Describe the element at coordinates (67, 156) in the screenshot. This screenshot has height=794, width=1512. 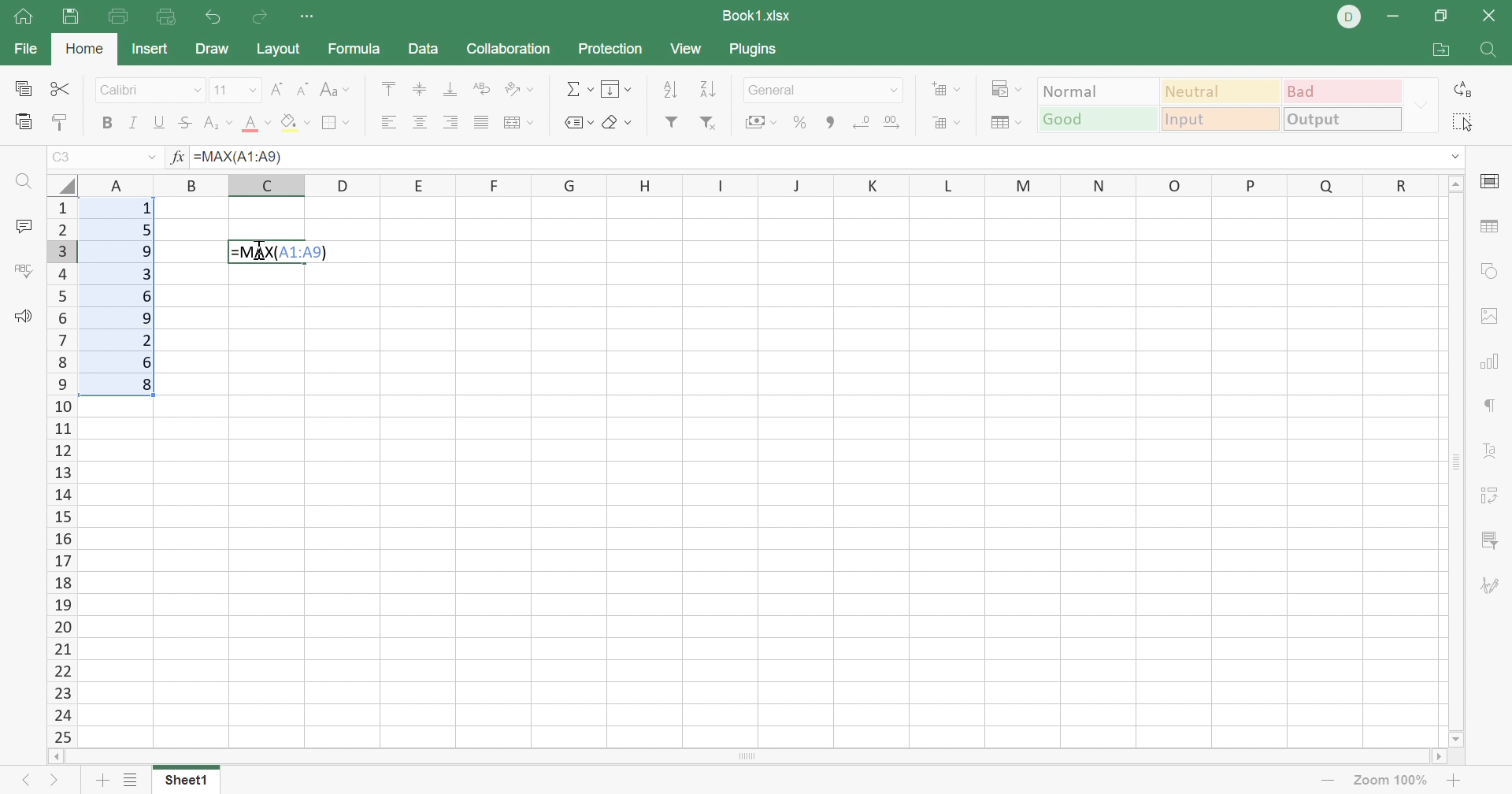
I see `C3` at that location.